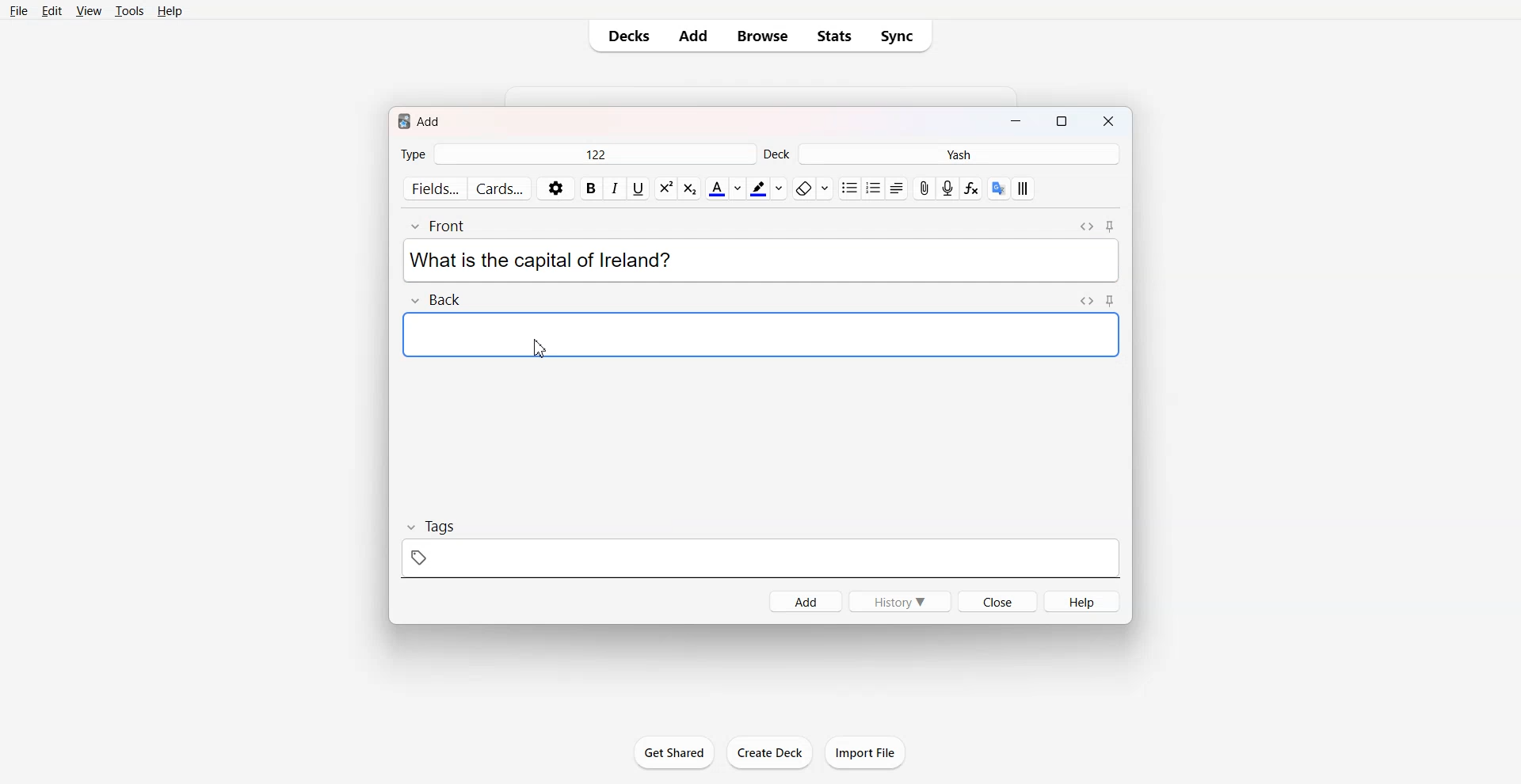 Image resolution: width=1521 pixels, height=784 pixels. I want to click on Text 1, so click(421, 120).